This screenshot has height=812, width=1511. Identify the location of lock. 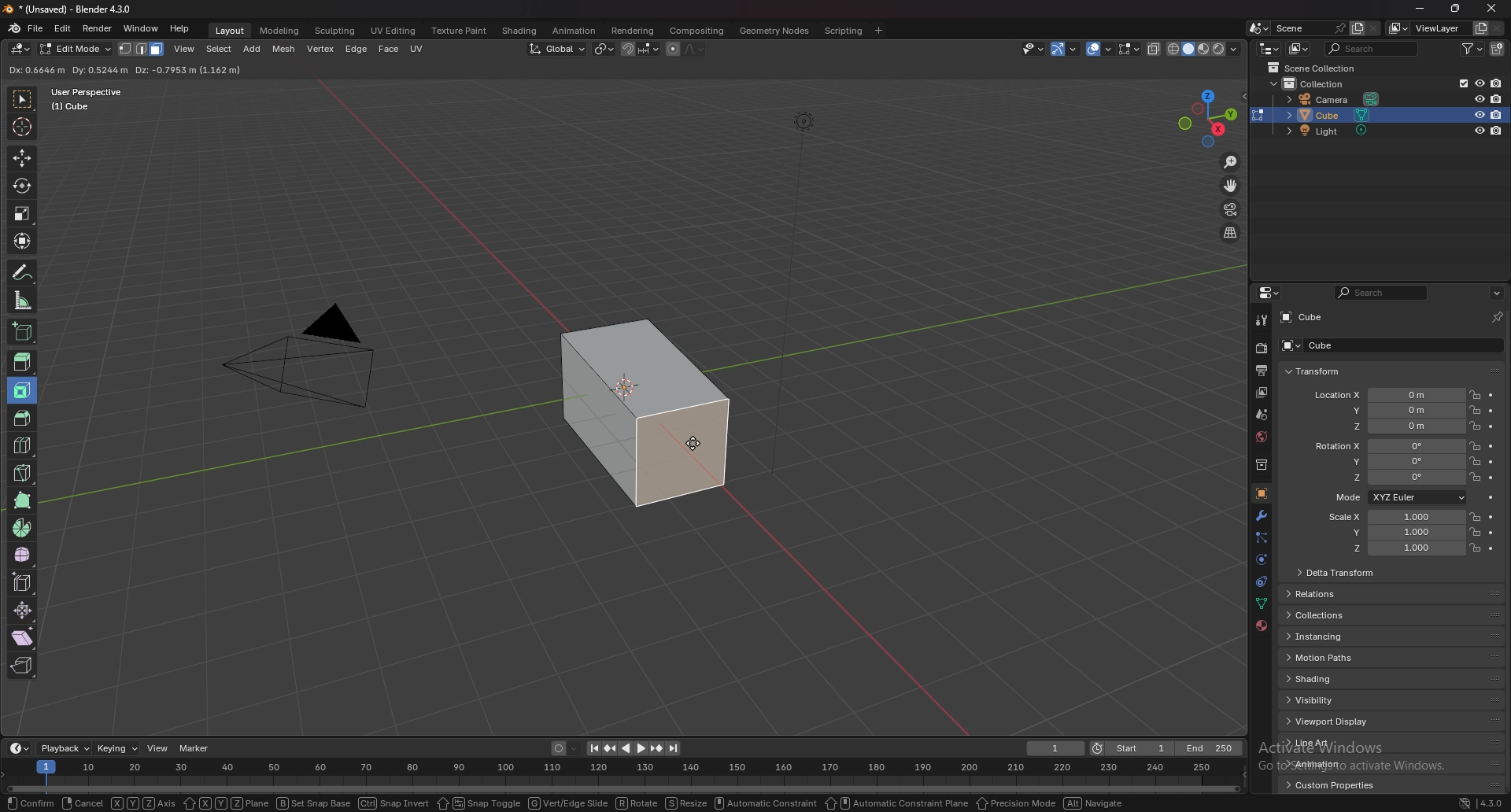
(1475, 394).